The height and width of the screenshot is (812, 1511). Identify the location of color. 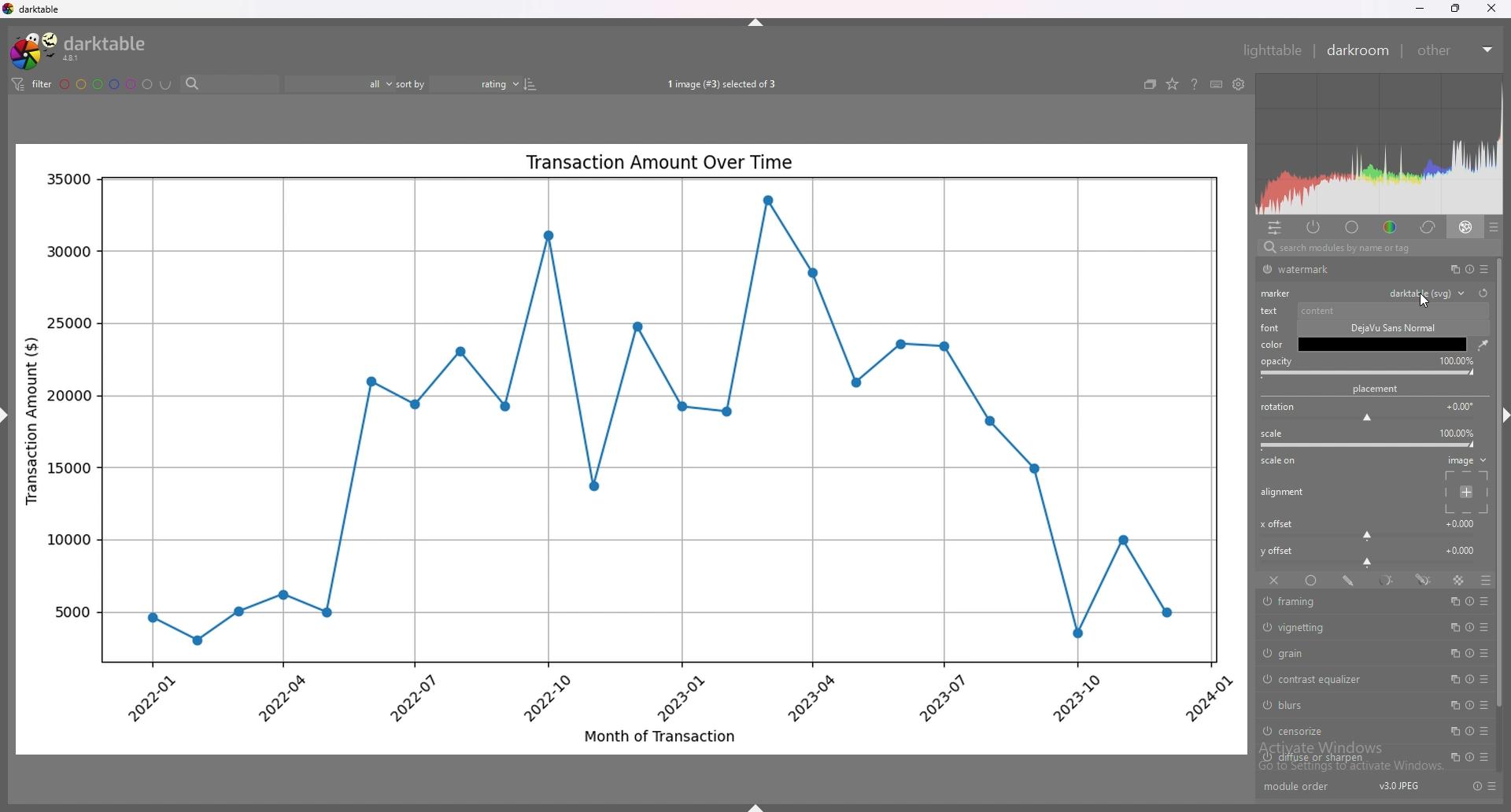
(1387, 227).